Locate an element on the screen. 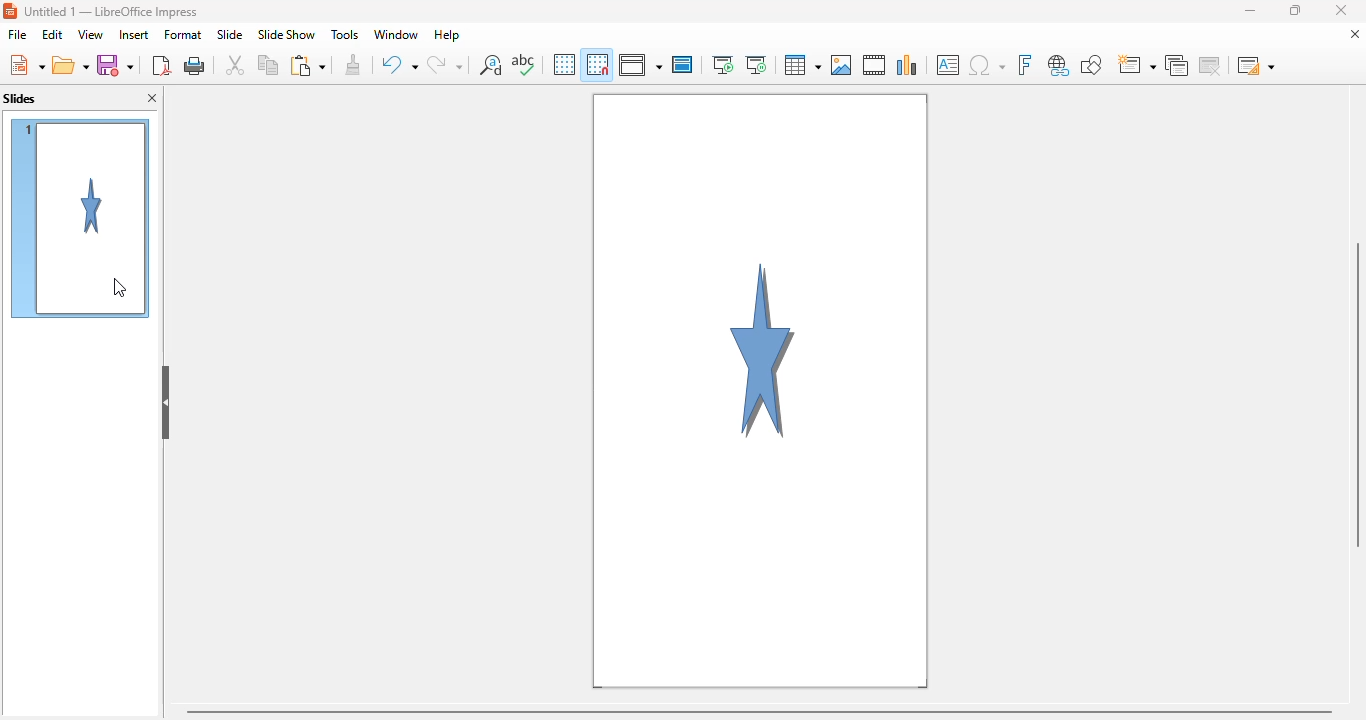 Image resolution: width=1366 pixels, height=720 pixels. export directly as PDF is located at coordinates (161, 64).